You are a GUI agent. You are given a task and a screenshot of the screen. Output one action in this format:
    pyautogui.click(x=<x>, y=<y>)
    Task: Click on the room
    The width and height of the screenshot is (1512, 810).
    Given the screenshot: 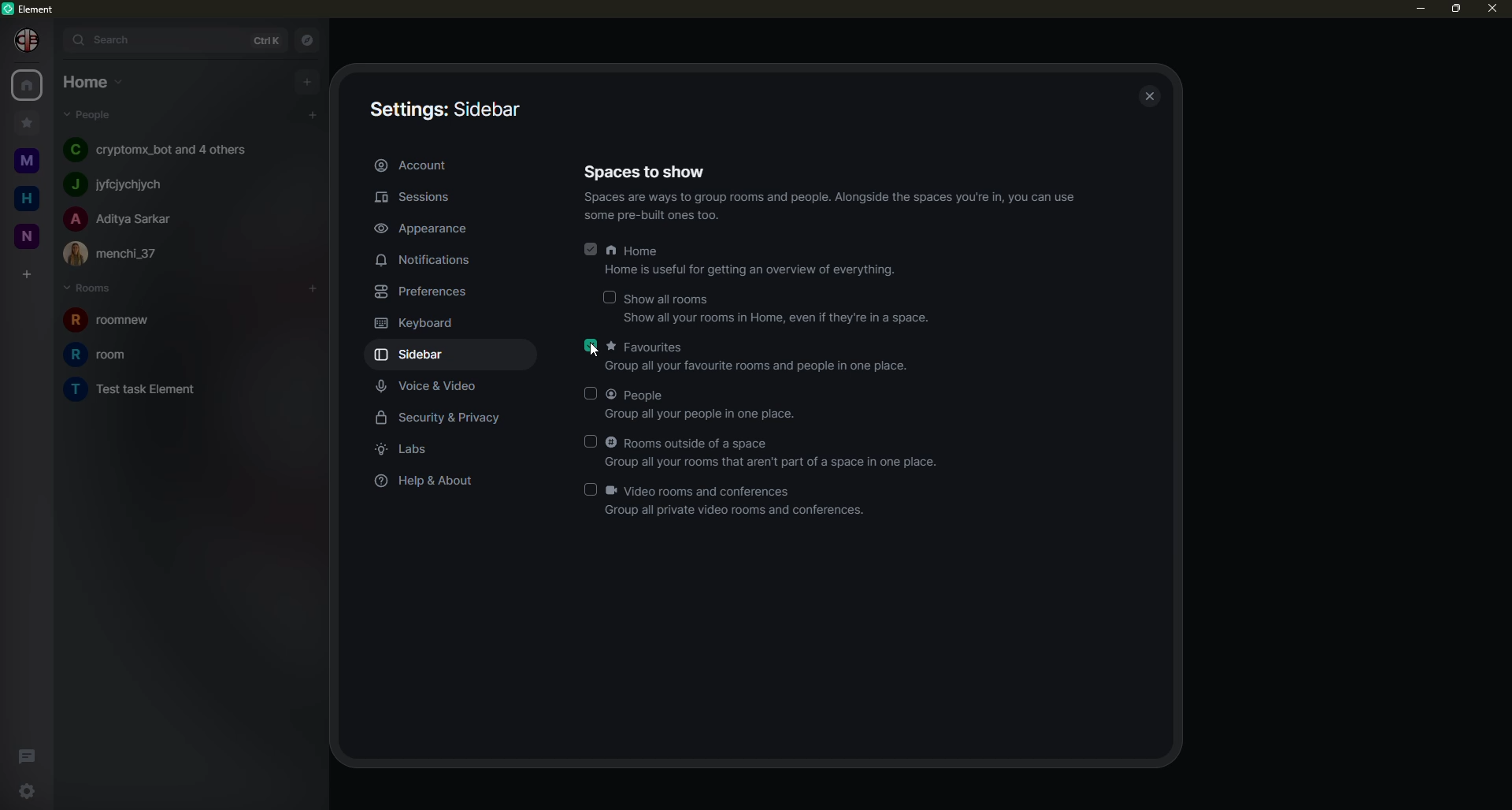 What is the action you would take?
    pyautogui.click(x=154, y=391)
    